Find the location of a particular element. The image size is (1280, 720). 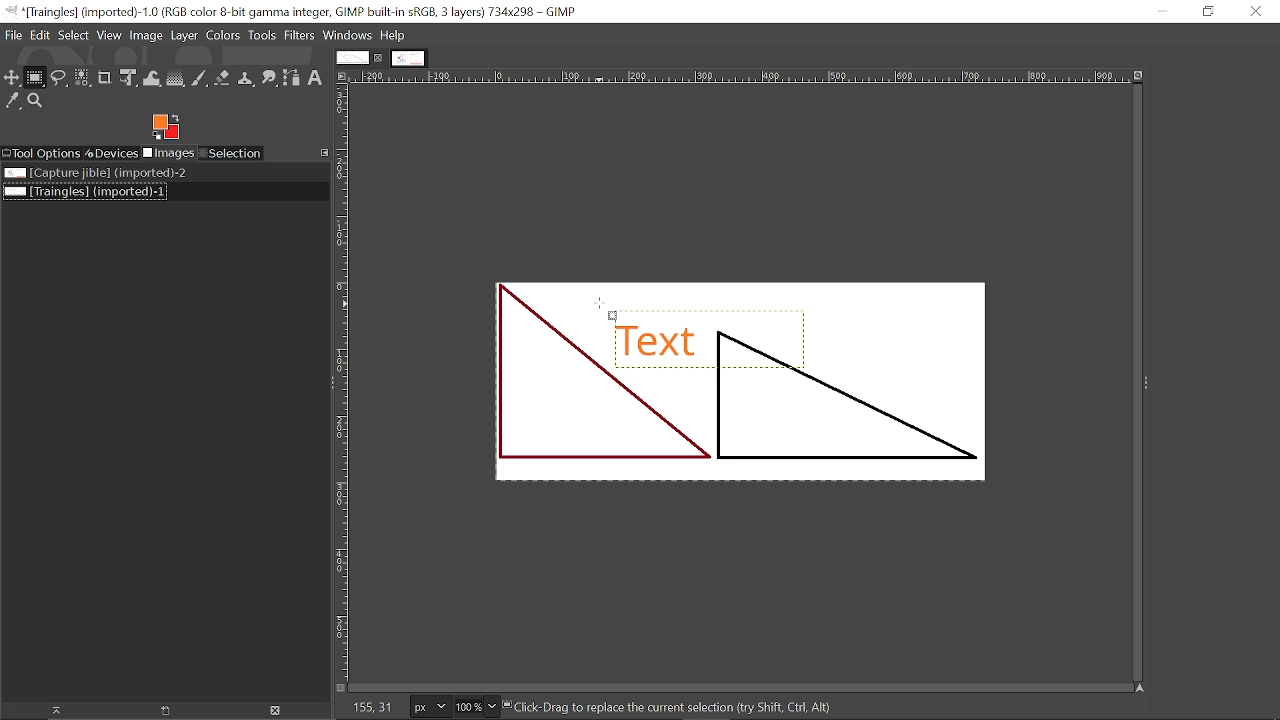

Devices is located at coordinates (111, 152).